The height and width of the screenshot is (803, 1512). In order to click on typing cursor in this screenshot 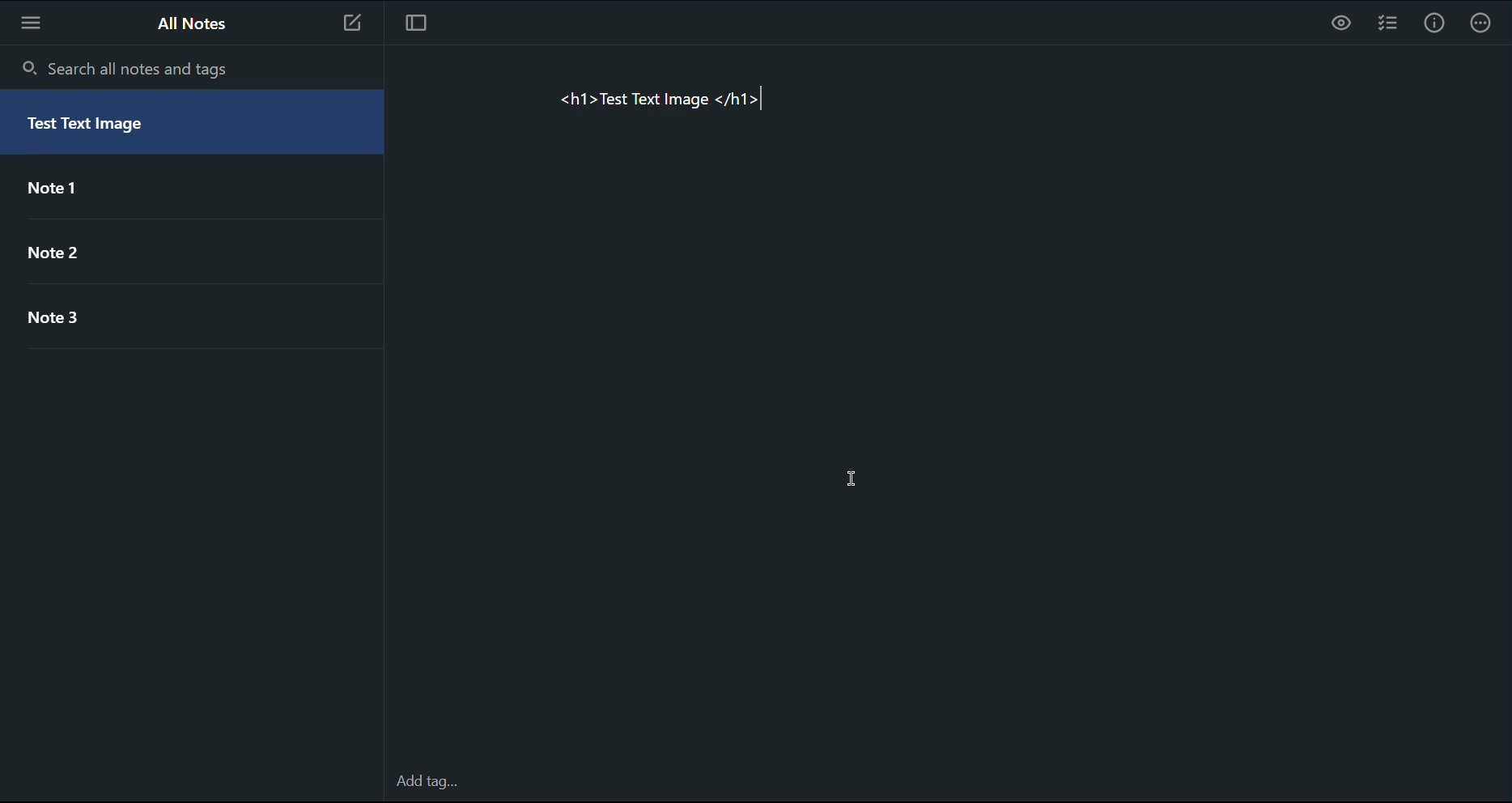, I will do `click(772, 99)`.